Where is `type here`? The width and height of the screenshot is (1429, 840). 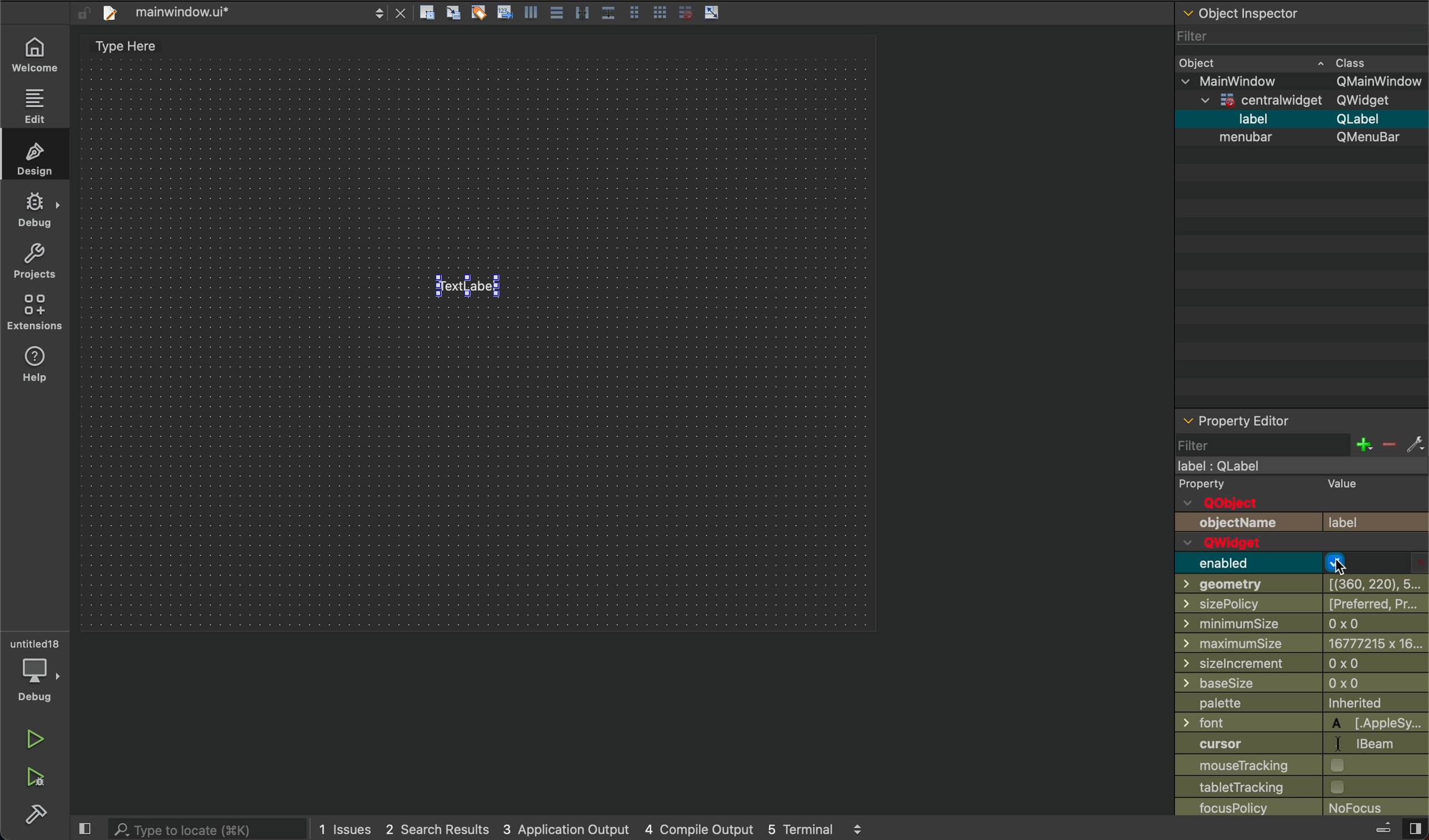 type here is located at coordinates (138, 52).